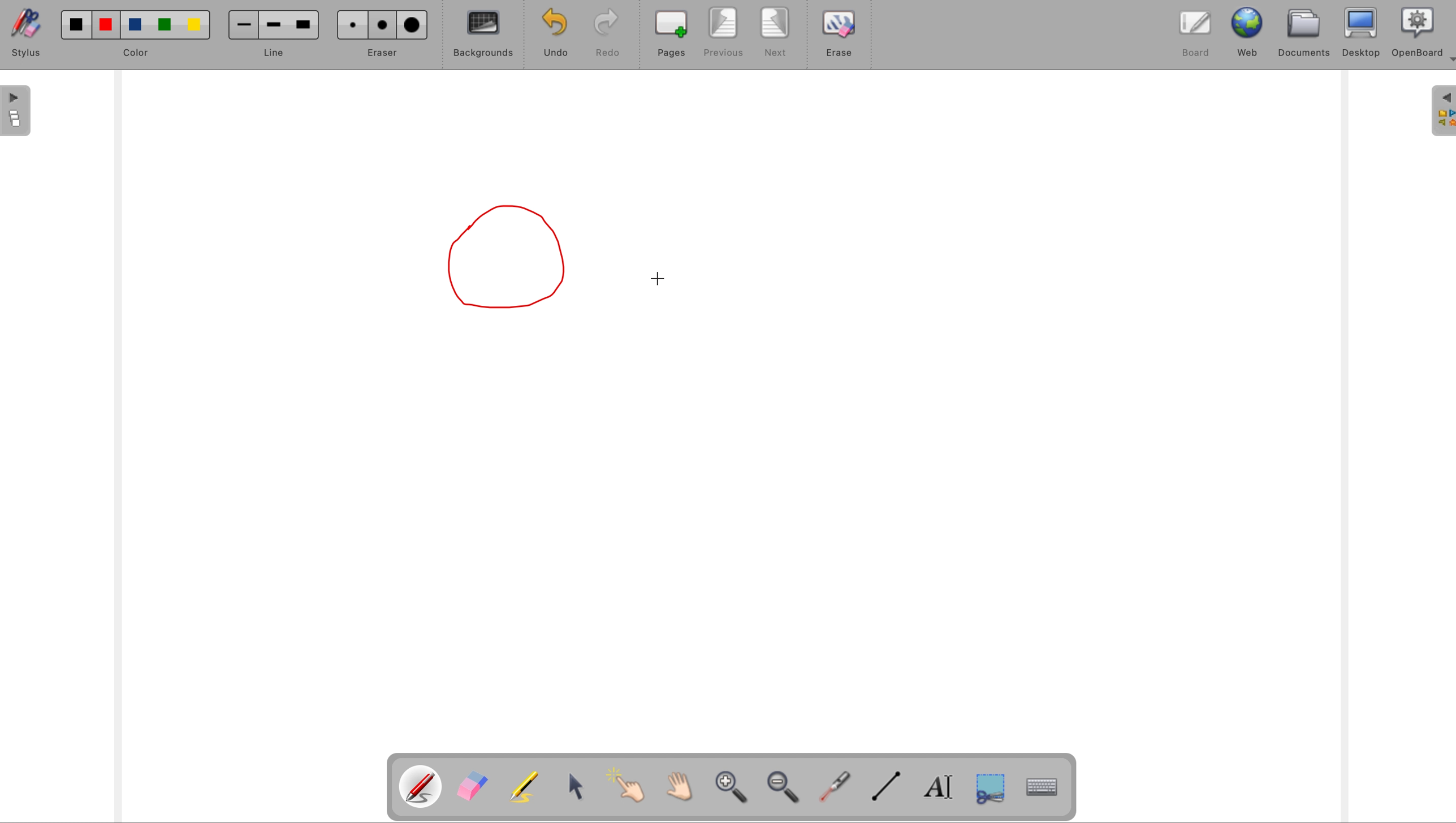 The width and height of the screenshot is (1456, 823). Describe the element at coordinates (941, 790) in the screenshot. I see `write text` at that location.